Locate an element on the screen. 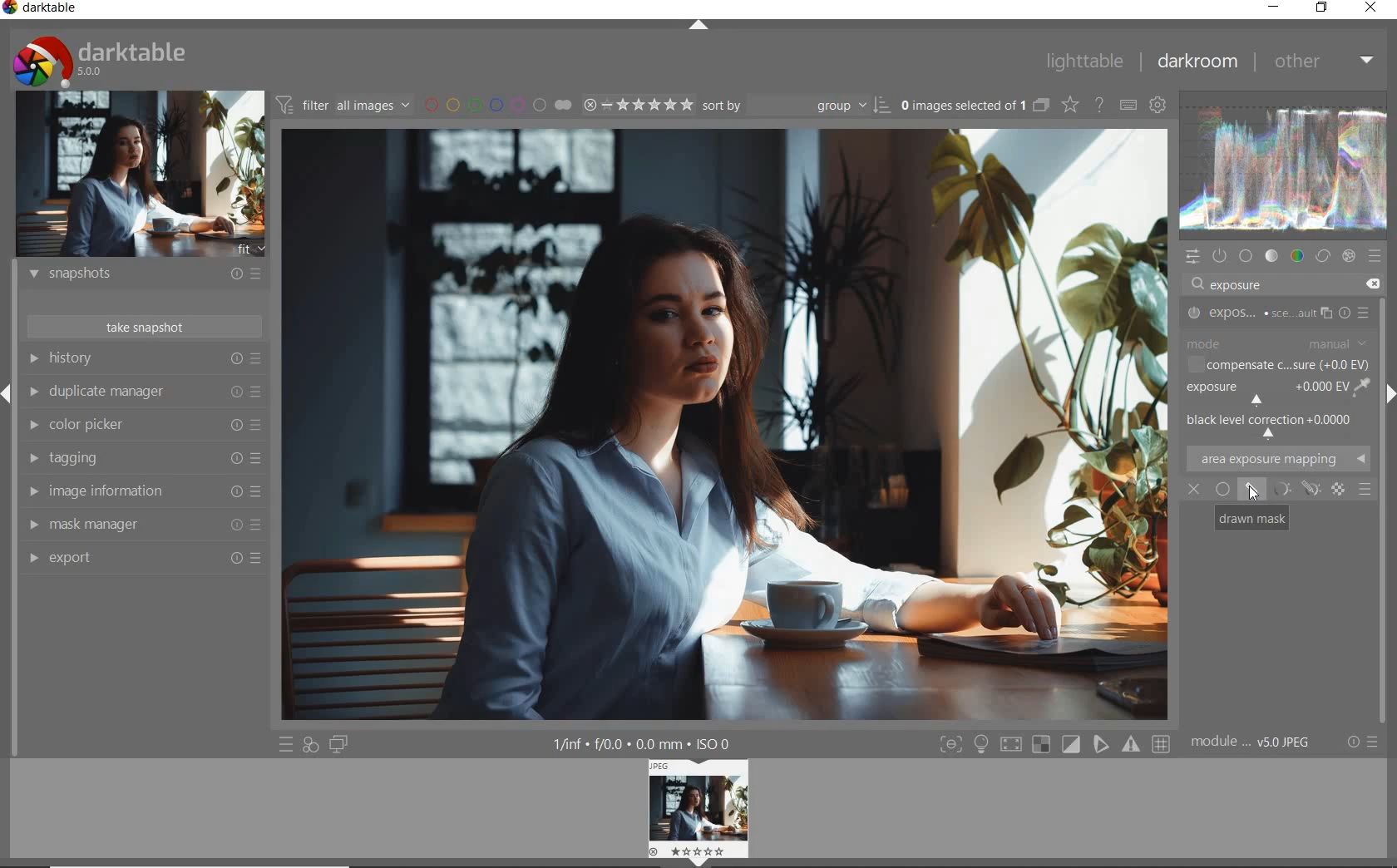 The width and height of the screenshot is (1397, 868). MASK OPTIONS is located at coordinates (1291, 489).